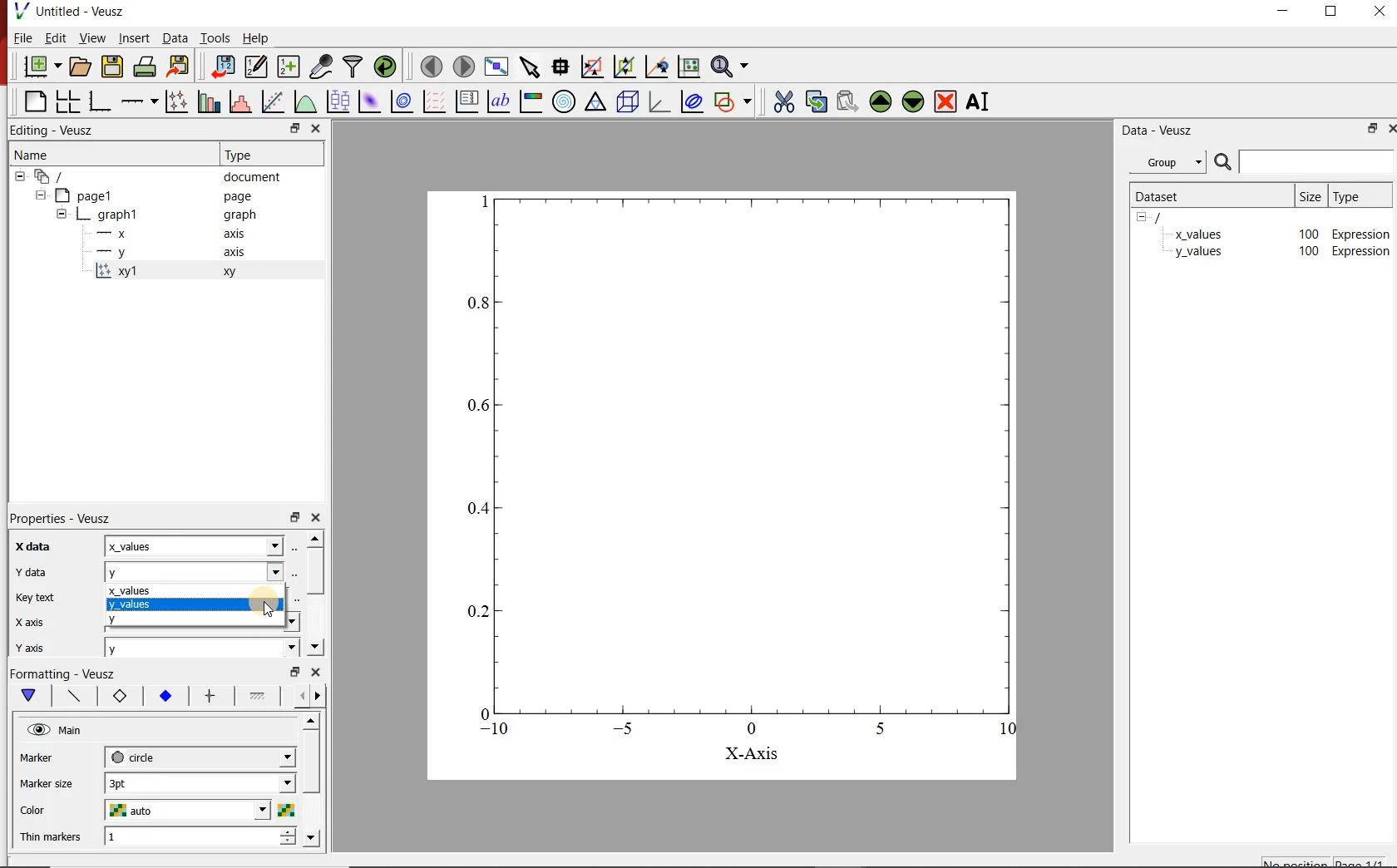 The height and width of the screenshot is (868, 1397). What do you see at coordinates (1358, 197) in the screenshot?
I see `type` at bounding box center [1358, 197].